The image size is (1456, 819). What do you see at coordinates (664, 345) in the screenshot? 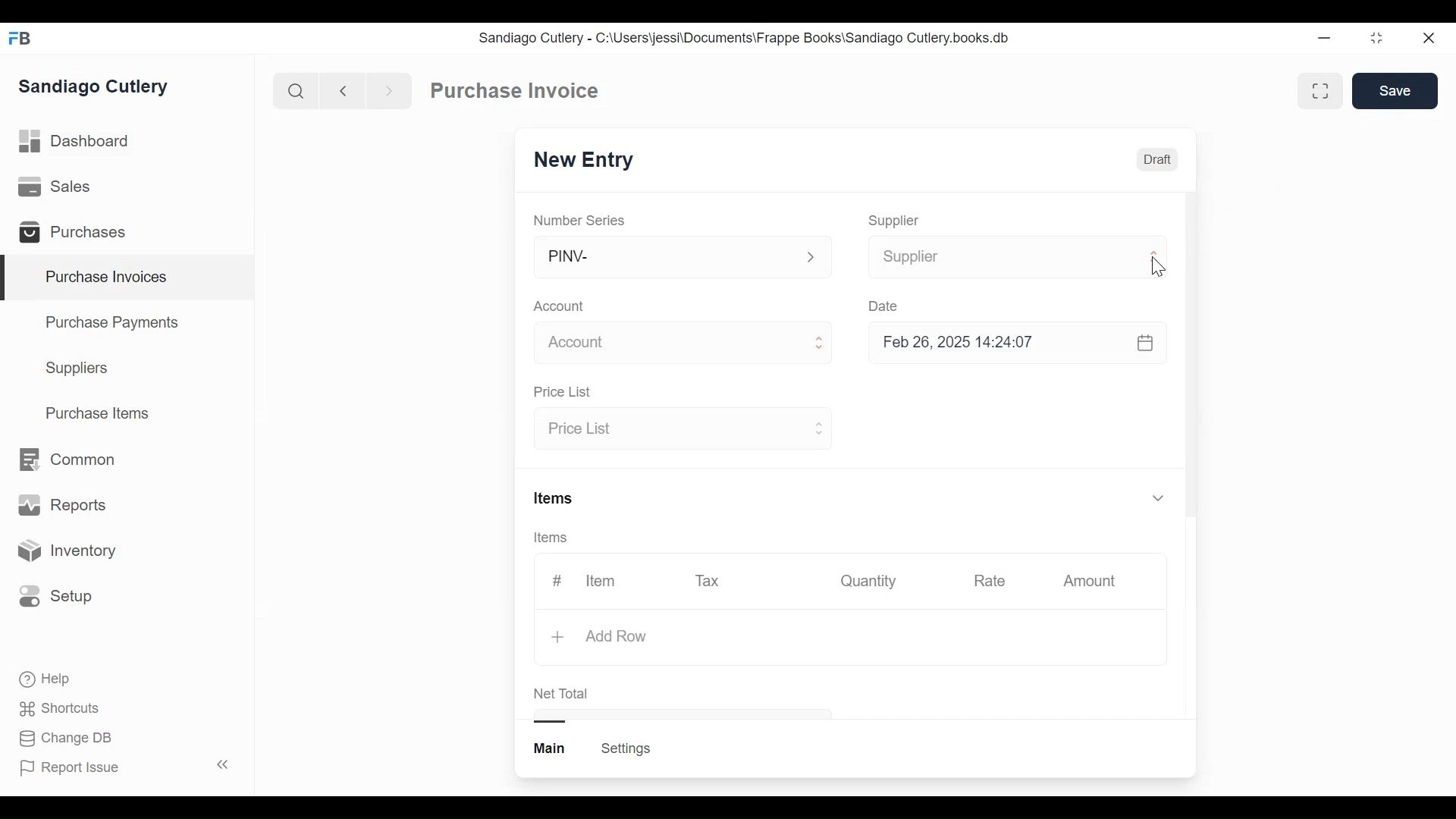
I see `Account` at bounding box center [664, 345].